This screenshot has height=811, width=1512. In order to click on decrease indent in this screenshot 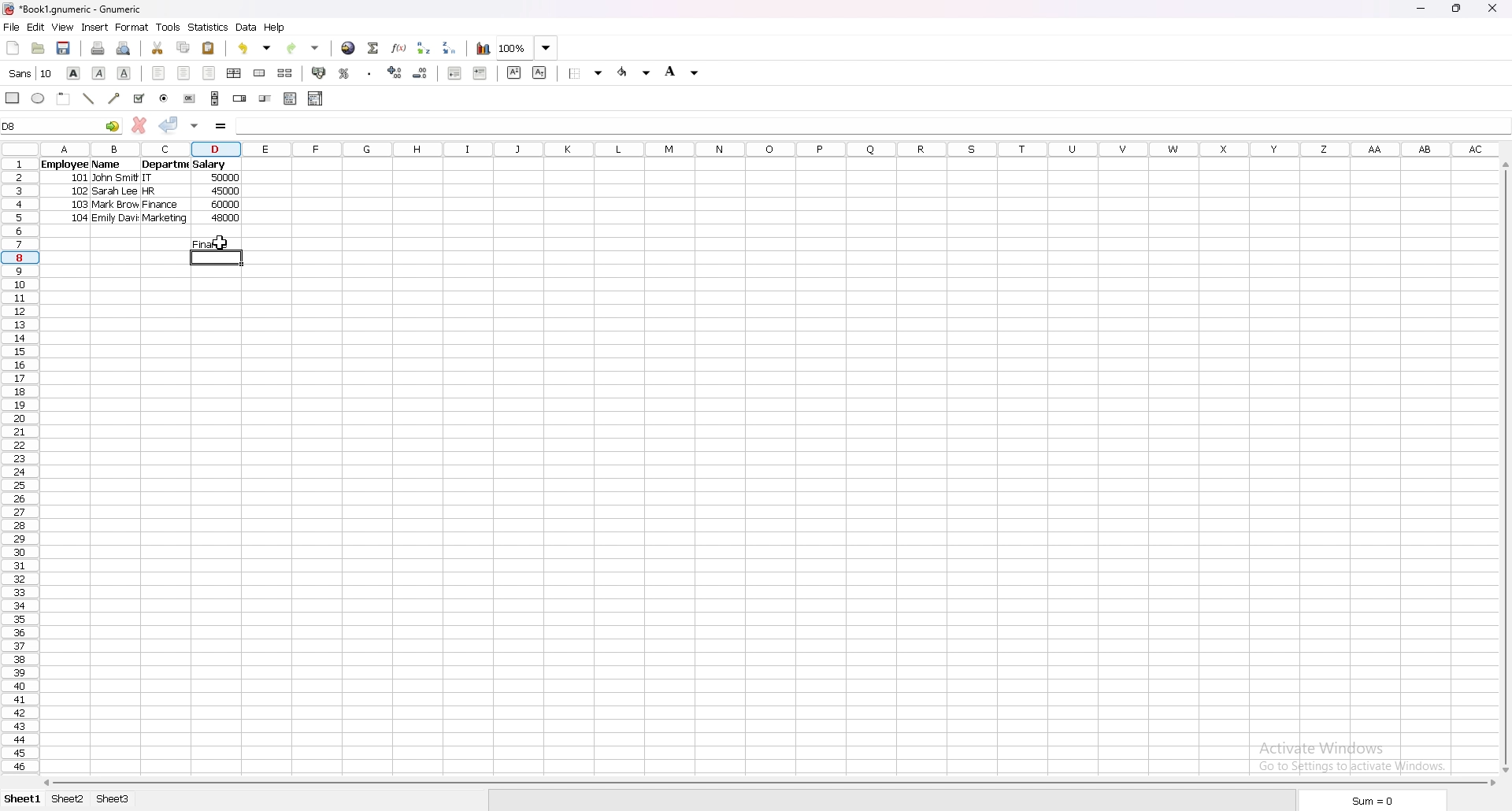, I will do `click(454, 72)`.